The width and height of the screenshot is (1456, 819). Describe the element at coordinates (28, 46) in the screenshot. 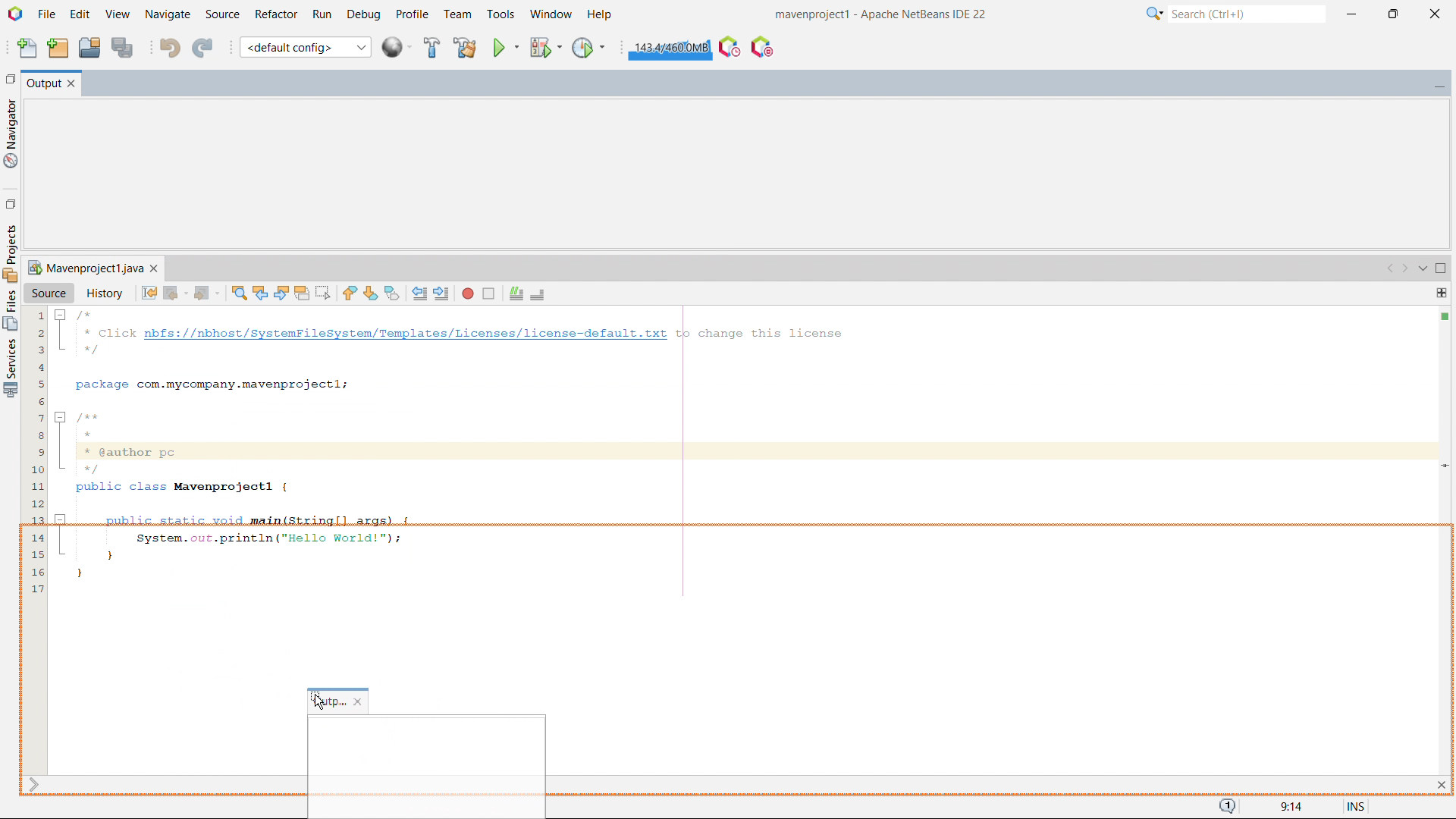

I see `new file` at that location.